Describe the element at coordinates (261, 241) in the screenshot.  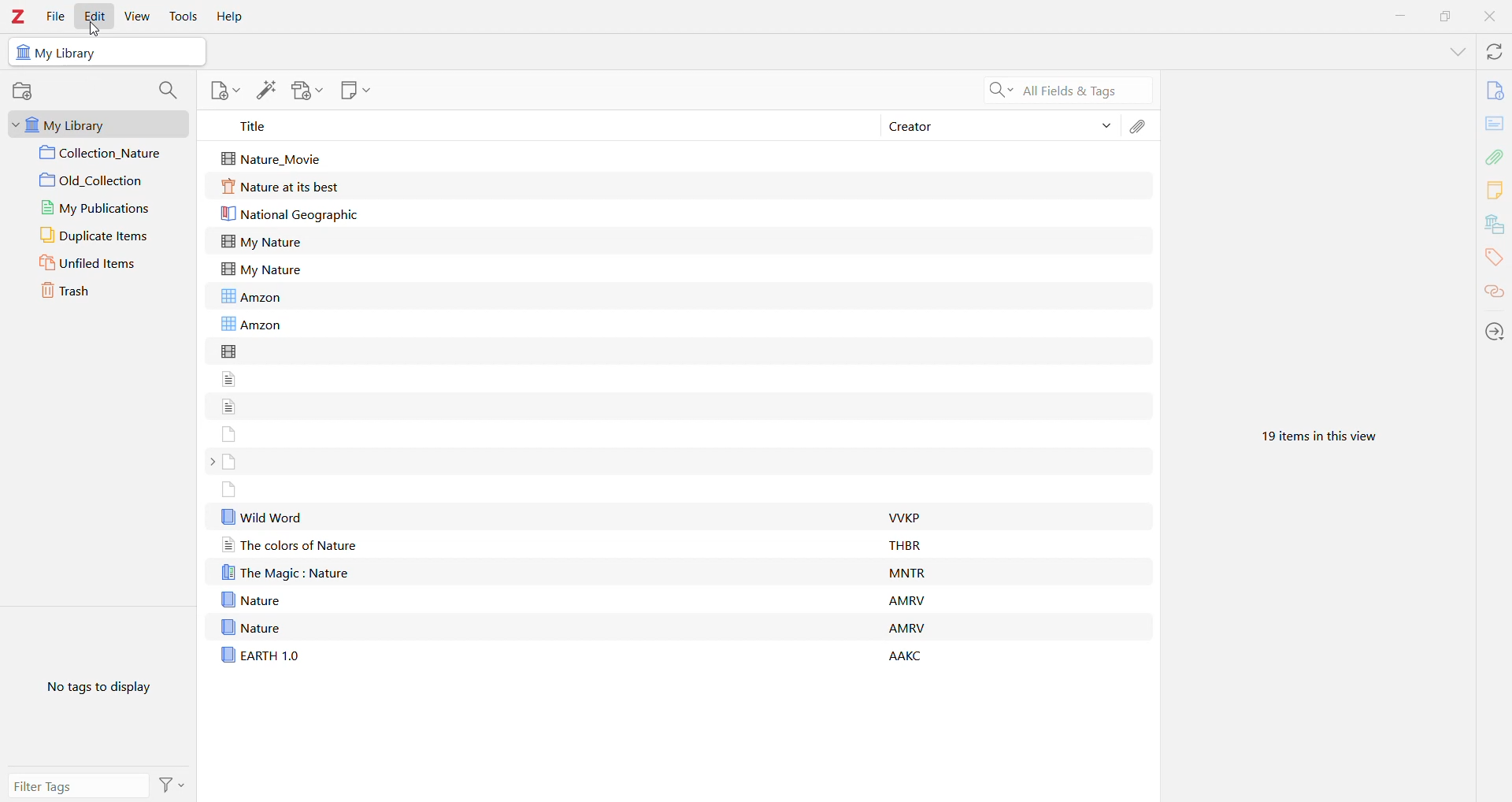
I see `My Nature` at that location.